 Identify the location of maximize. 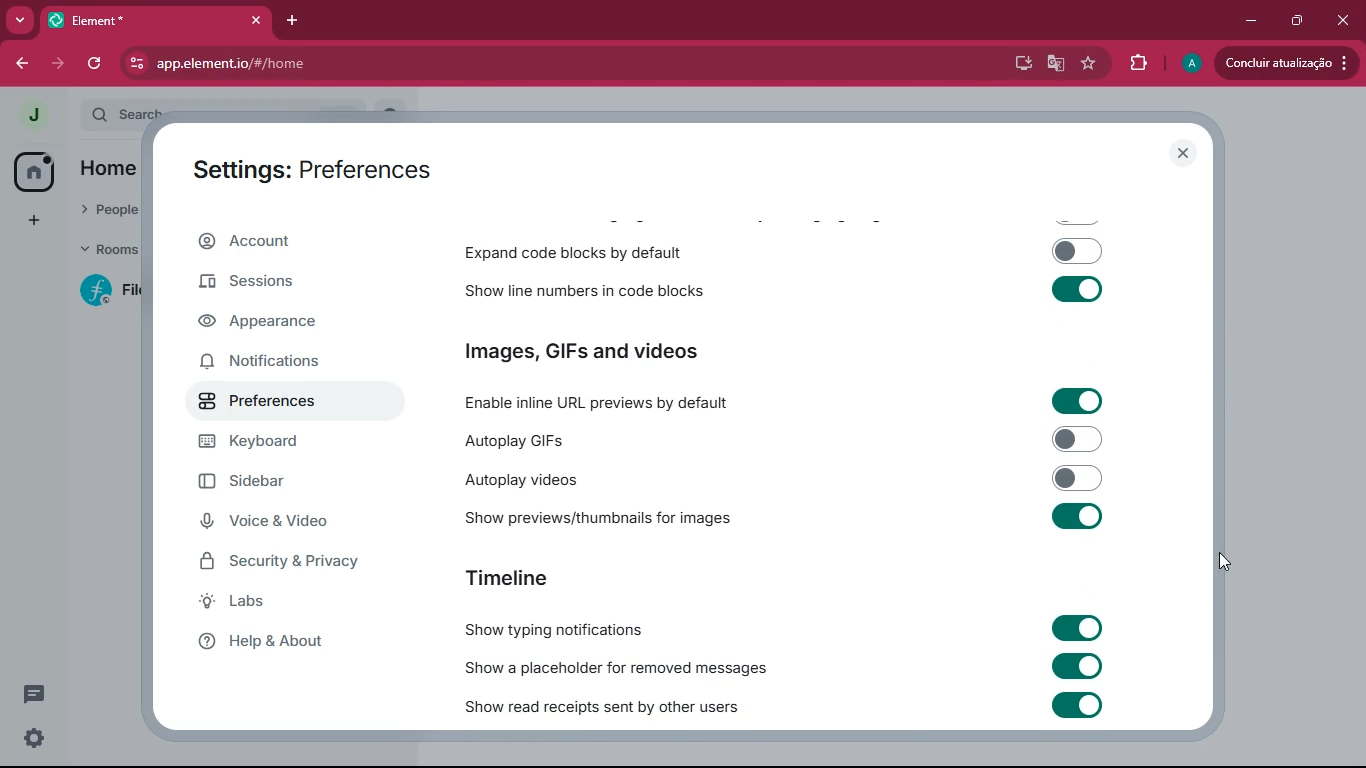
(1299, 19).